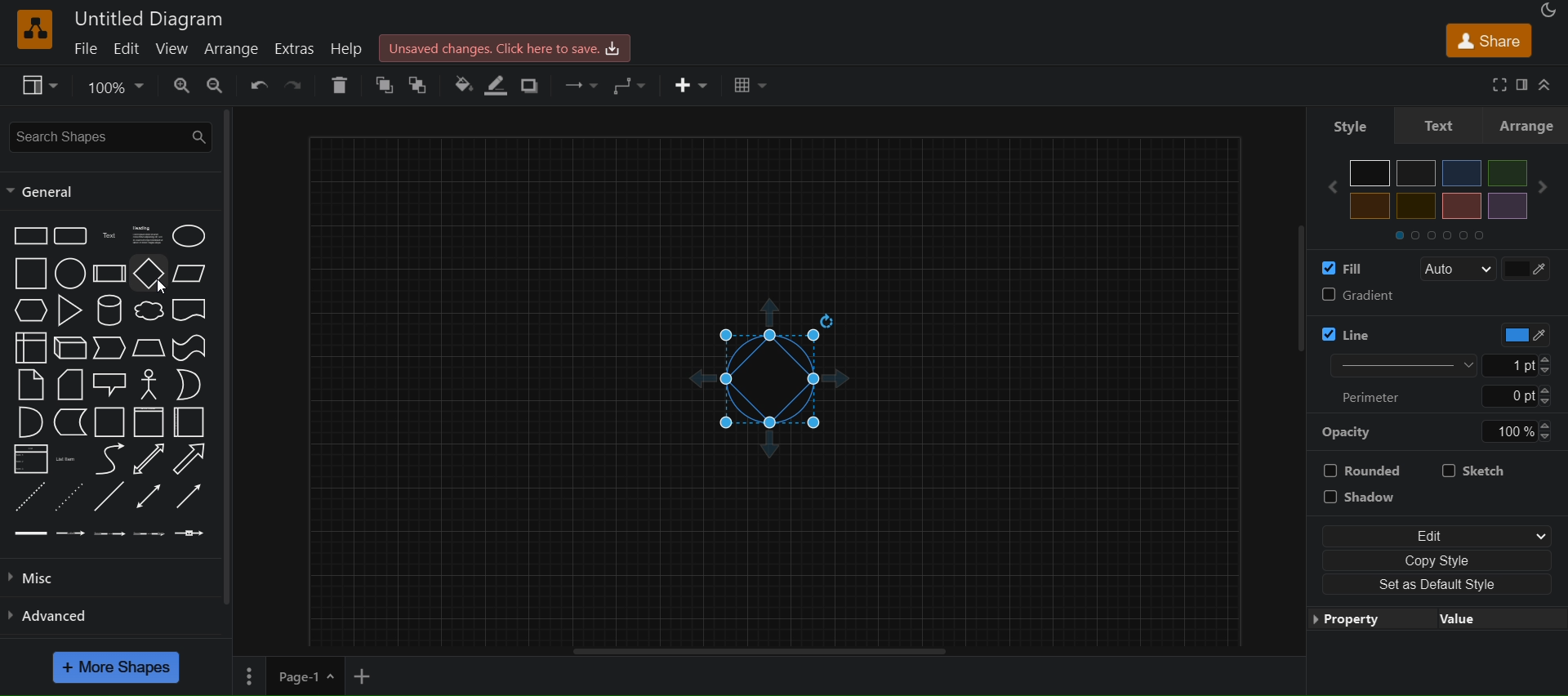 The image size is (1568, 696). What do you see at coordinates (235, 361) in the screenshot?
I see `diamond` at bounding box center [235, 361].